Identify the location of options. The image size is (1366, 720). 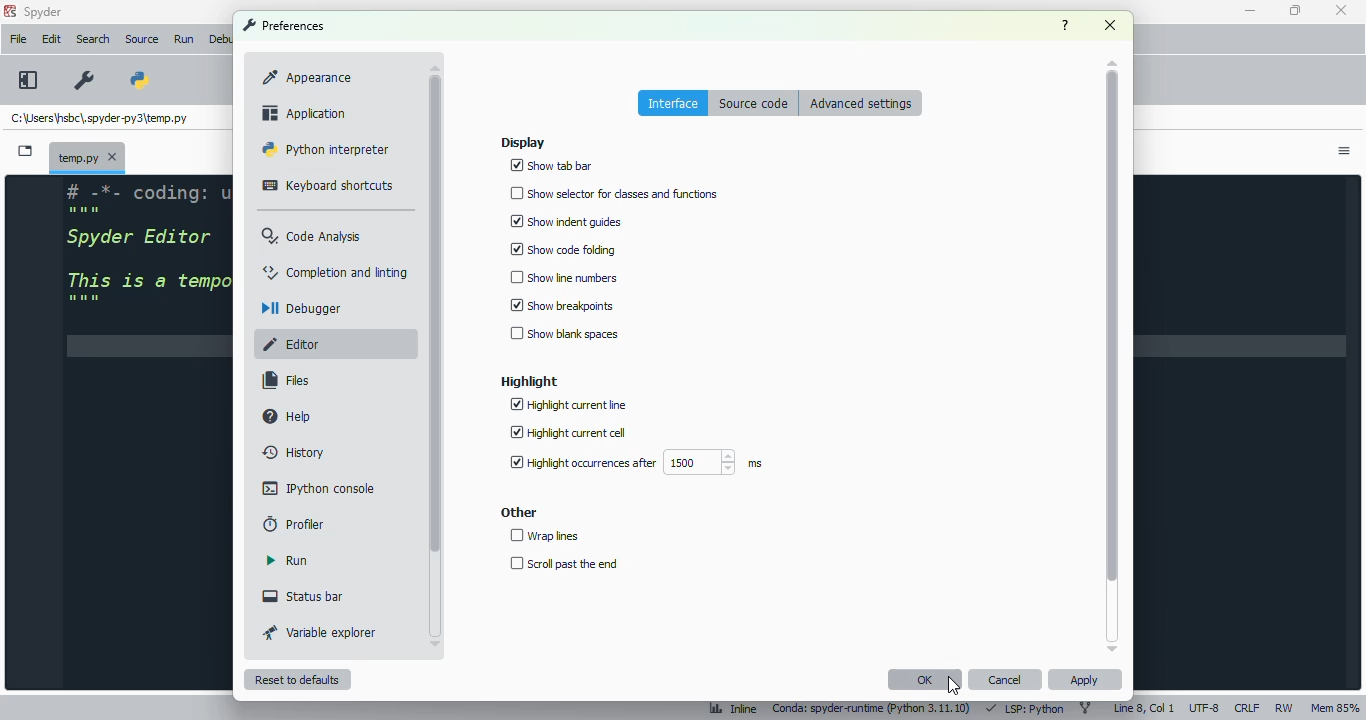
(1345, 152).